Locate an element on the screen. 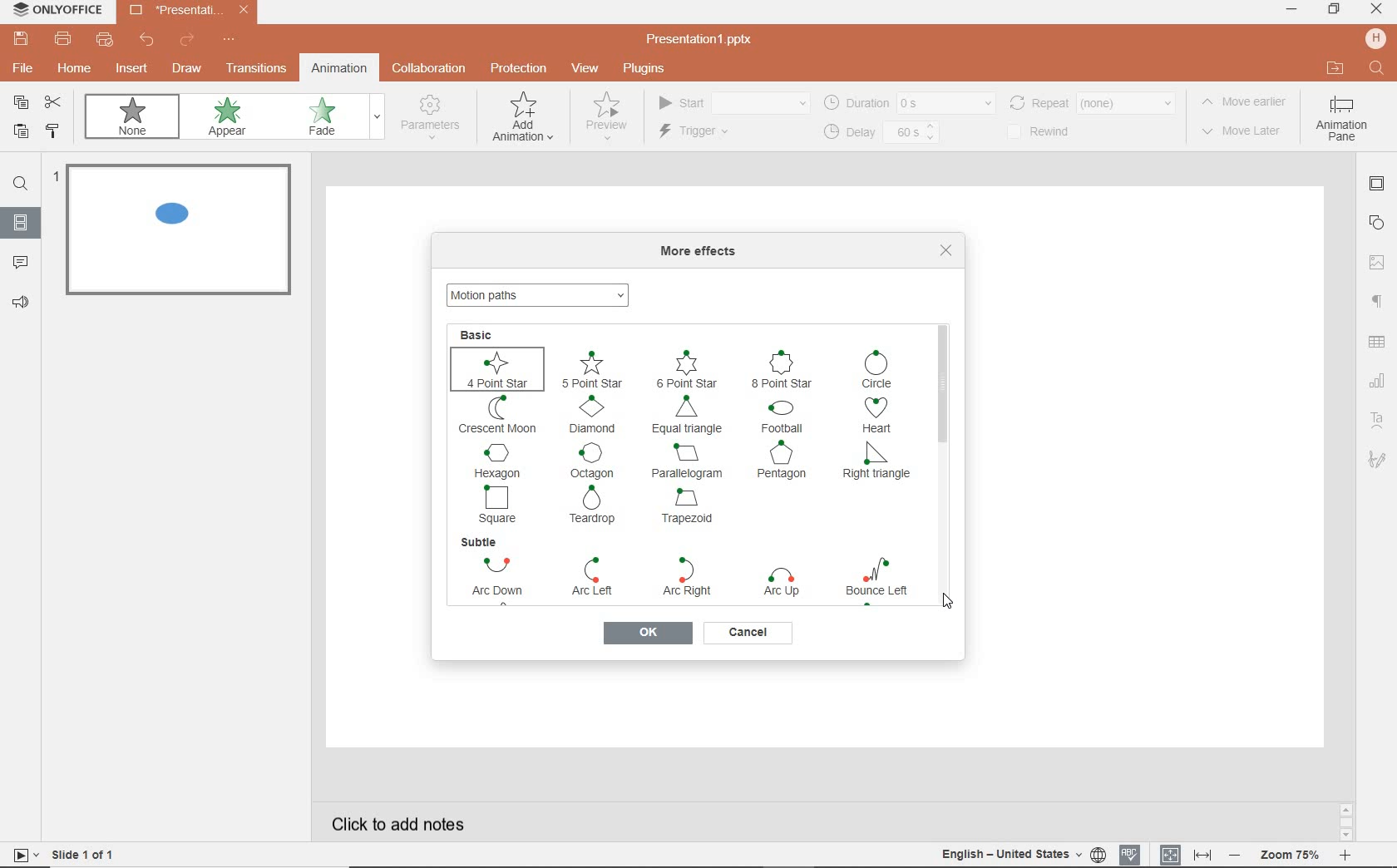 The height and width of the screenshot is (868, 1397). animation is located at coordinates (338, 67).